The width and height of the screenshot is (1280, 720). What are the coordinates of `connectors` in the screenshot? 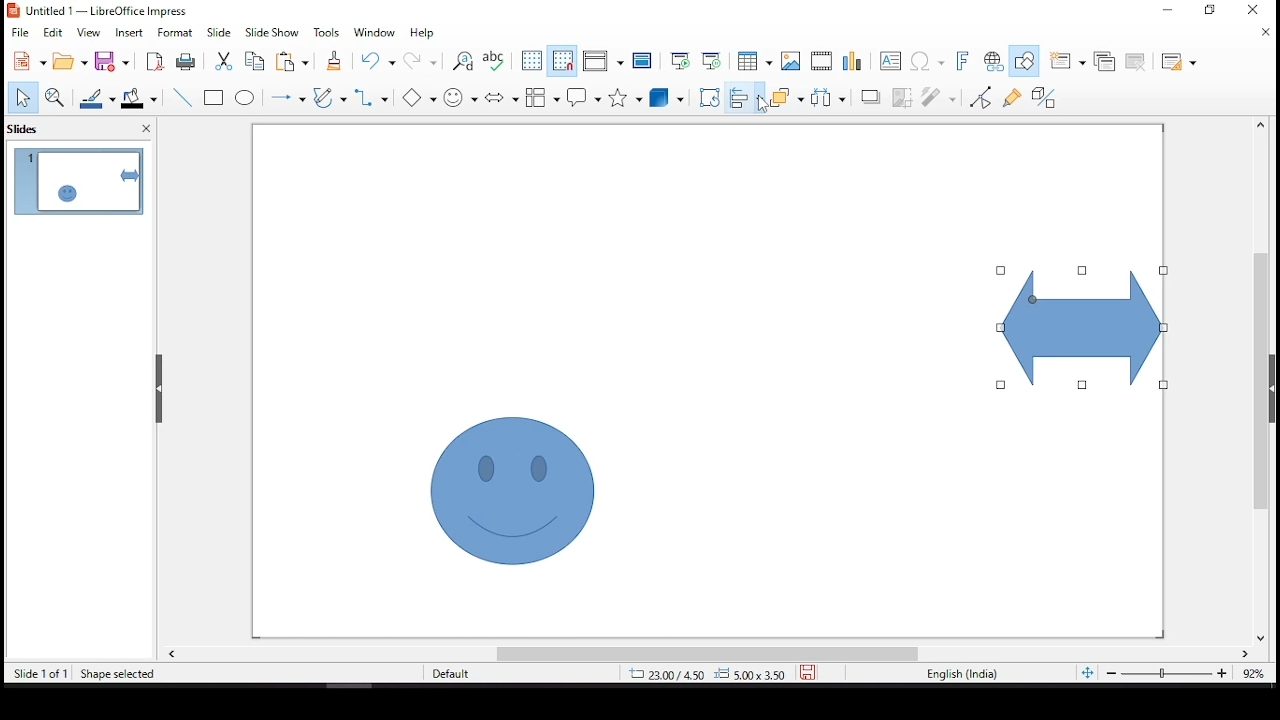 It's located at (370, 97).